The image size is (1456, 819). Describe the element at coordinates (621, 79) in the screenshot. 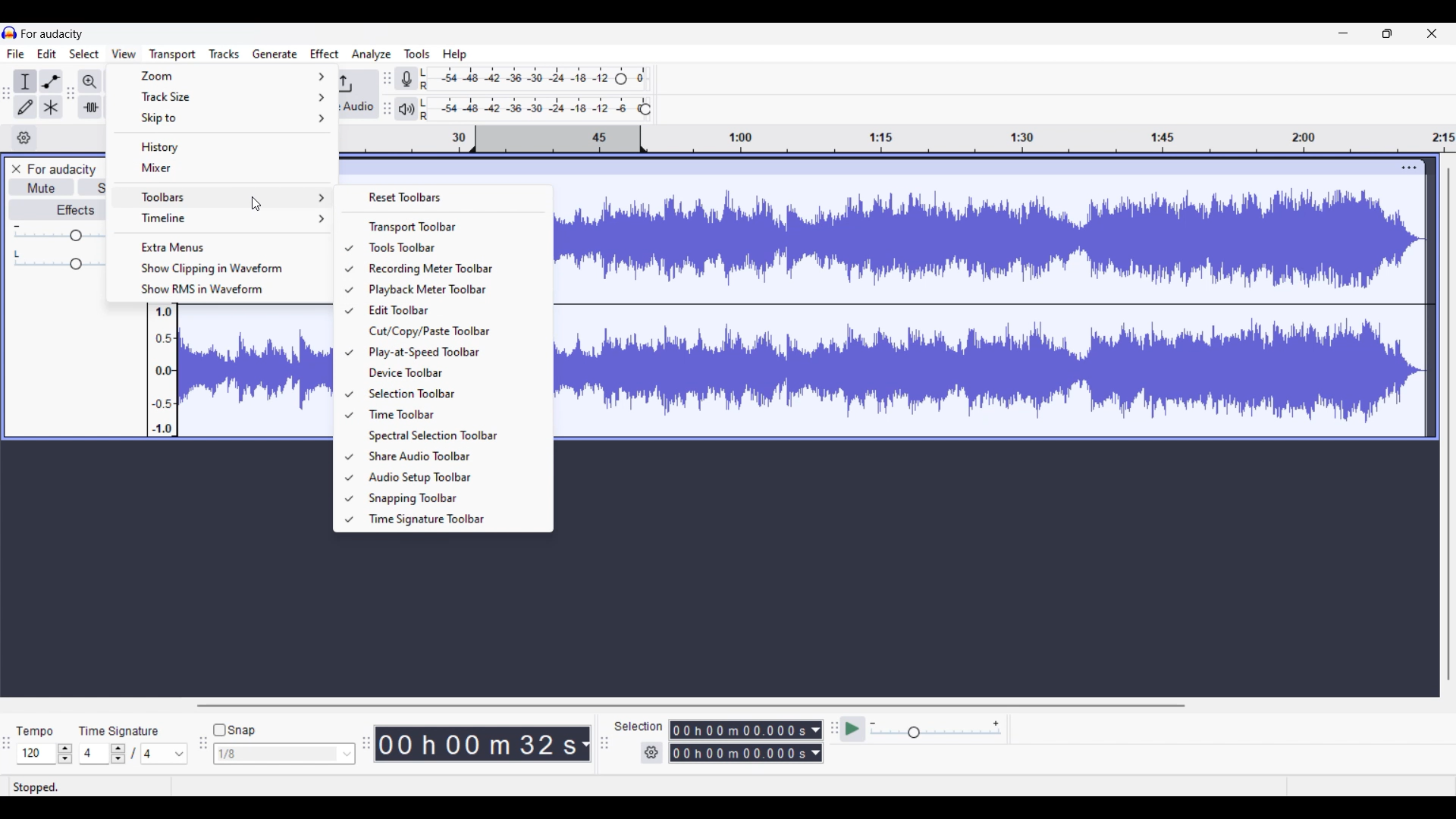

I see `Header to change recording level` at that location.